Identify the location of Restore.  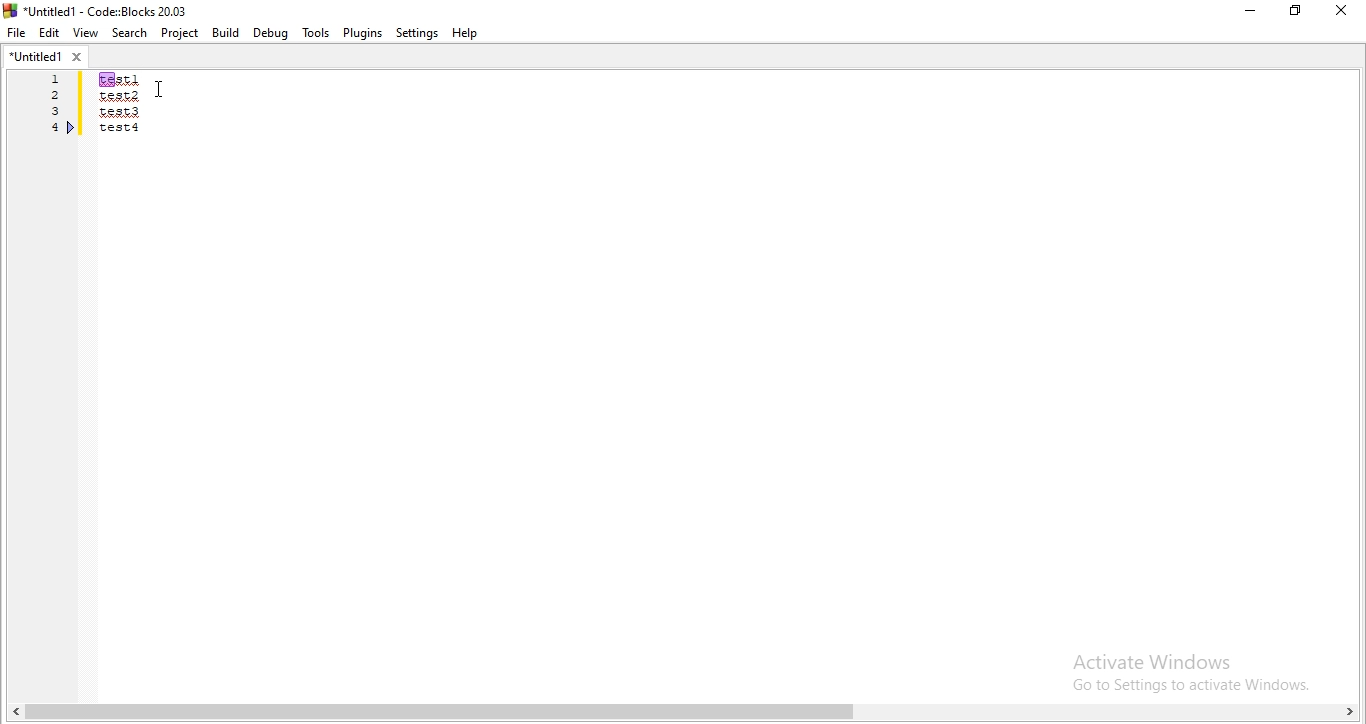
(1294, 13).